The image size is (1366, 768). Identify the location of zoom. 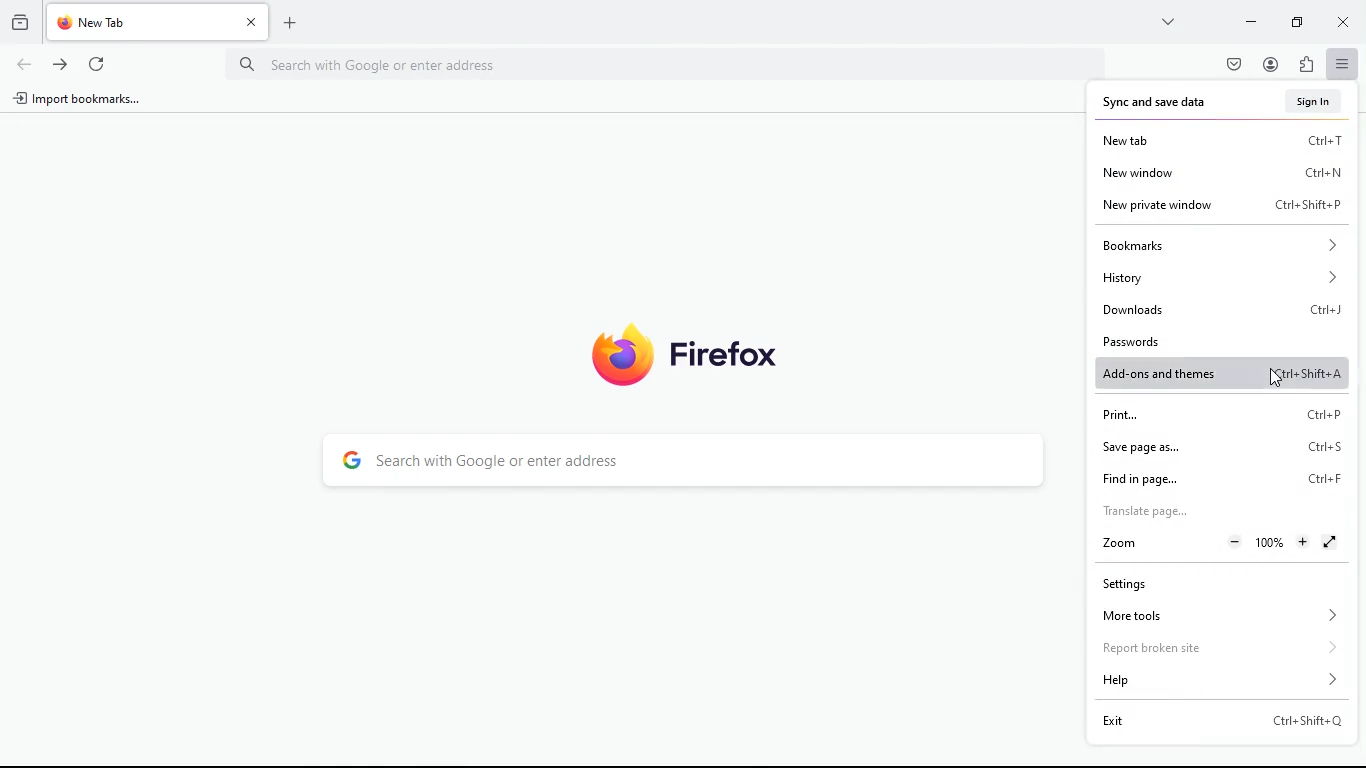
(1118, 543).